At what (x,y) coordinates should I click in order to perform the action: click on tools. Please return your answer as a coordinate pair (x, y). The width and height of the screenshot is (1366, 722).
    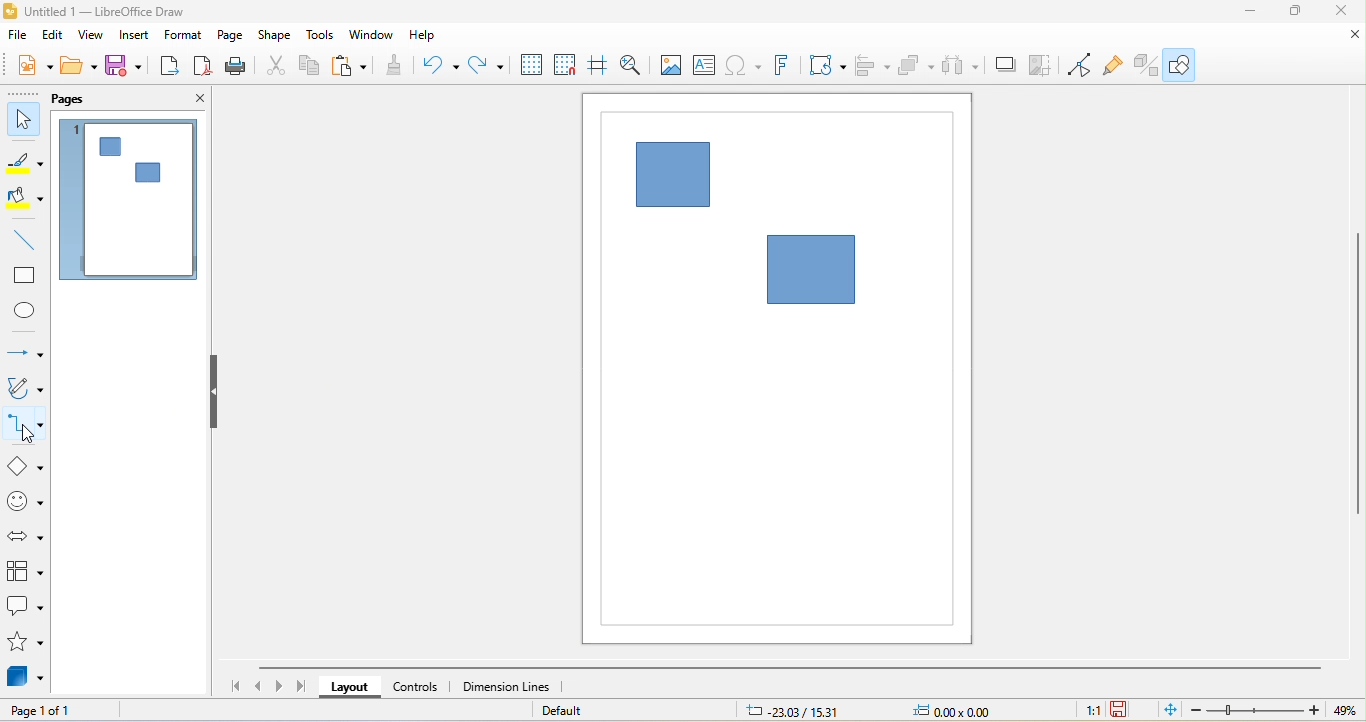
    Looking at the image, I should click on (323, 36).